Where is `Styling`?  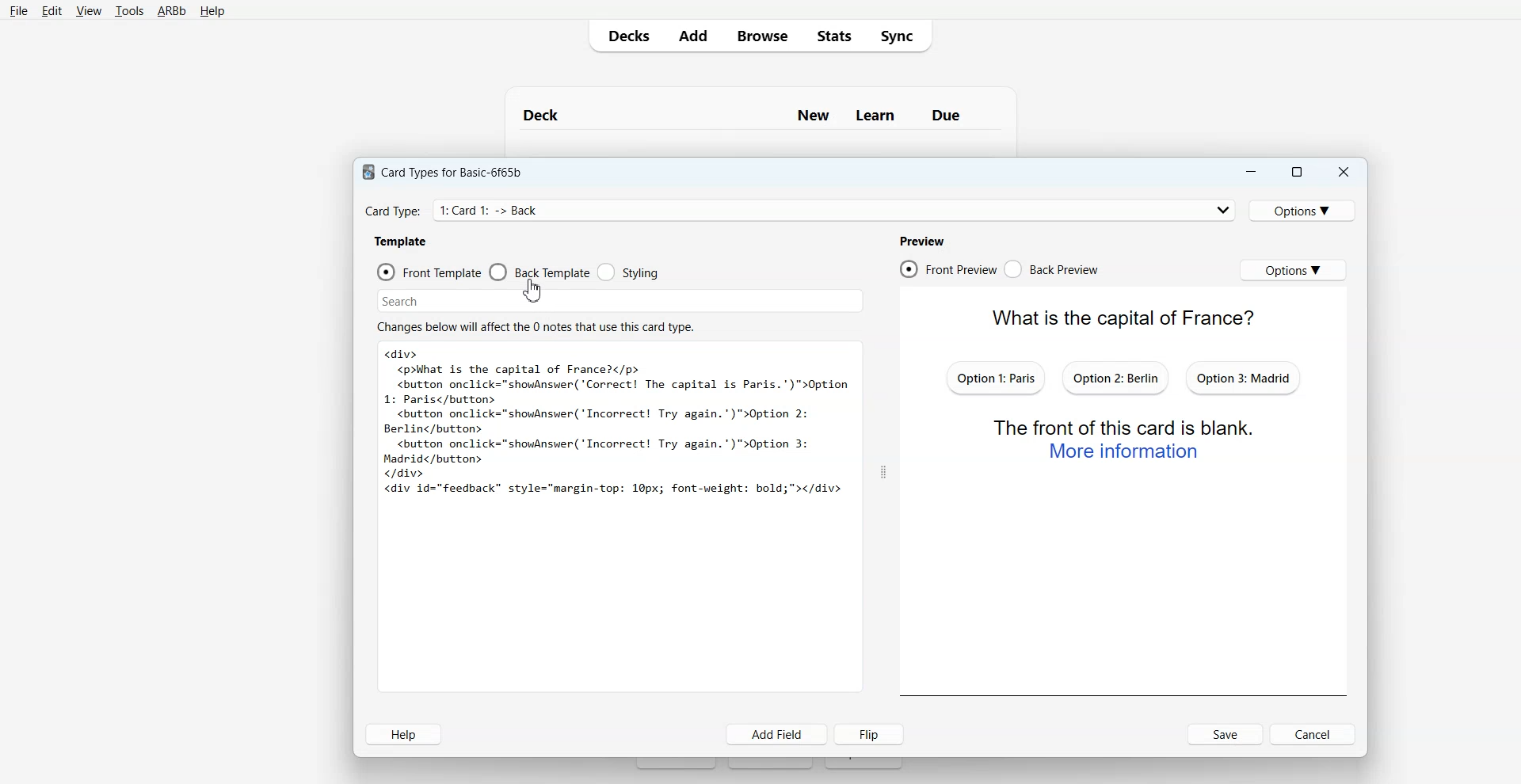 Styling is located at coordinates (628, 272).